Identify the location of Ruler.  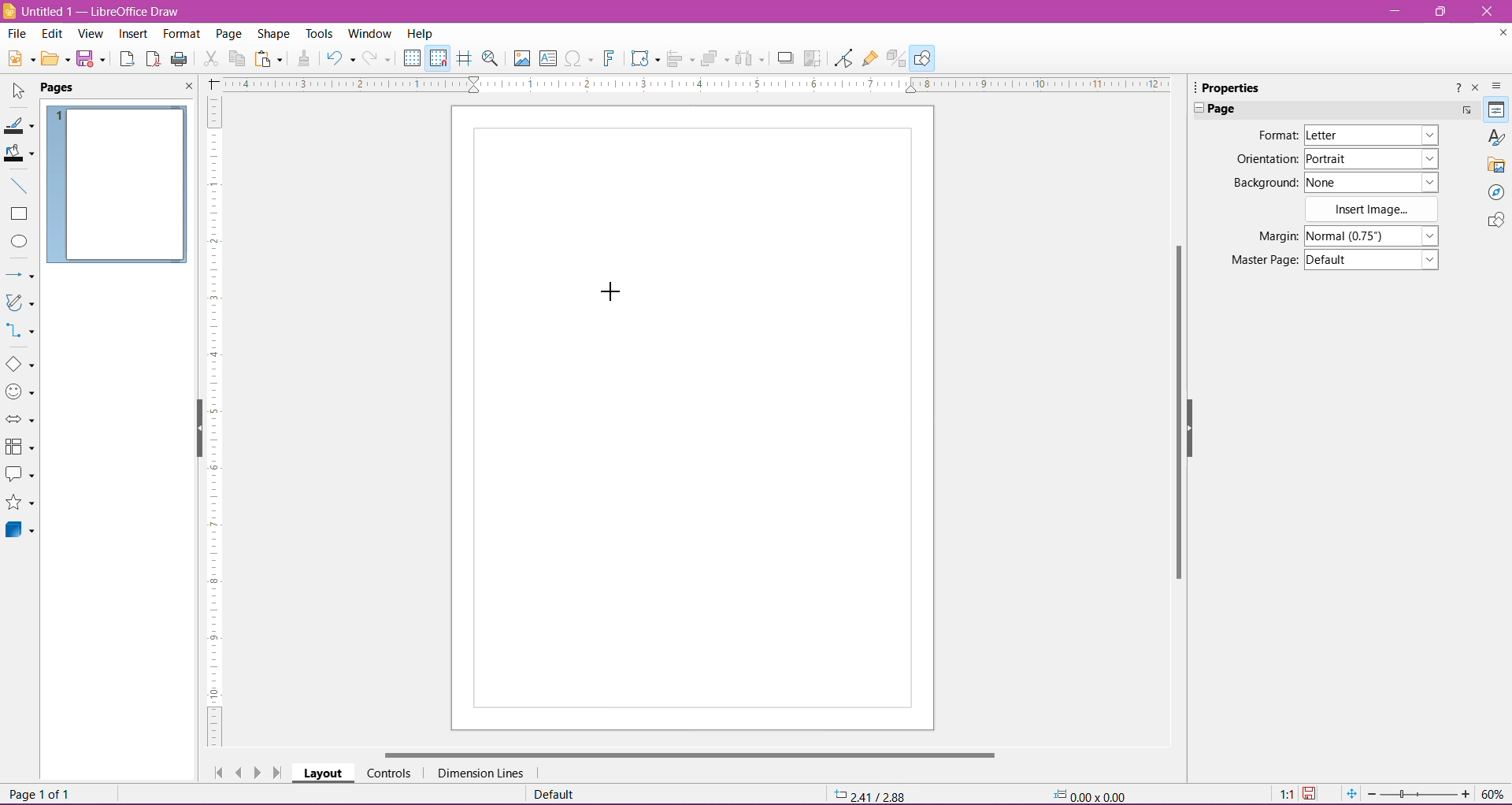
(691, 84).